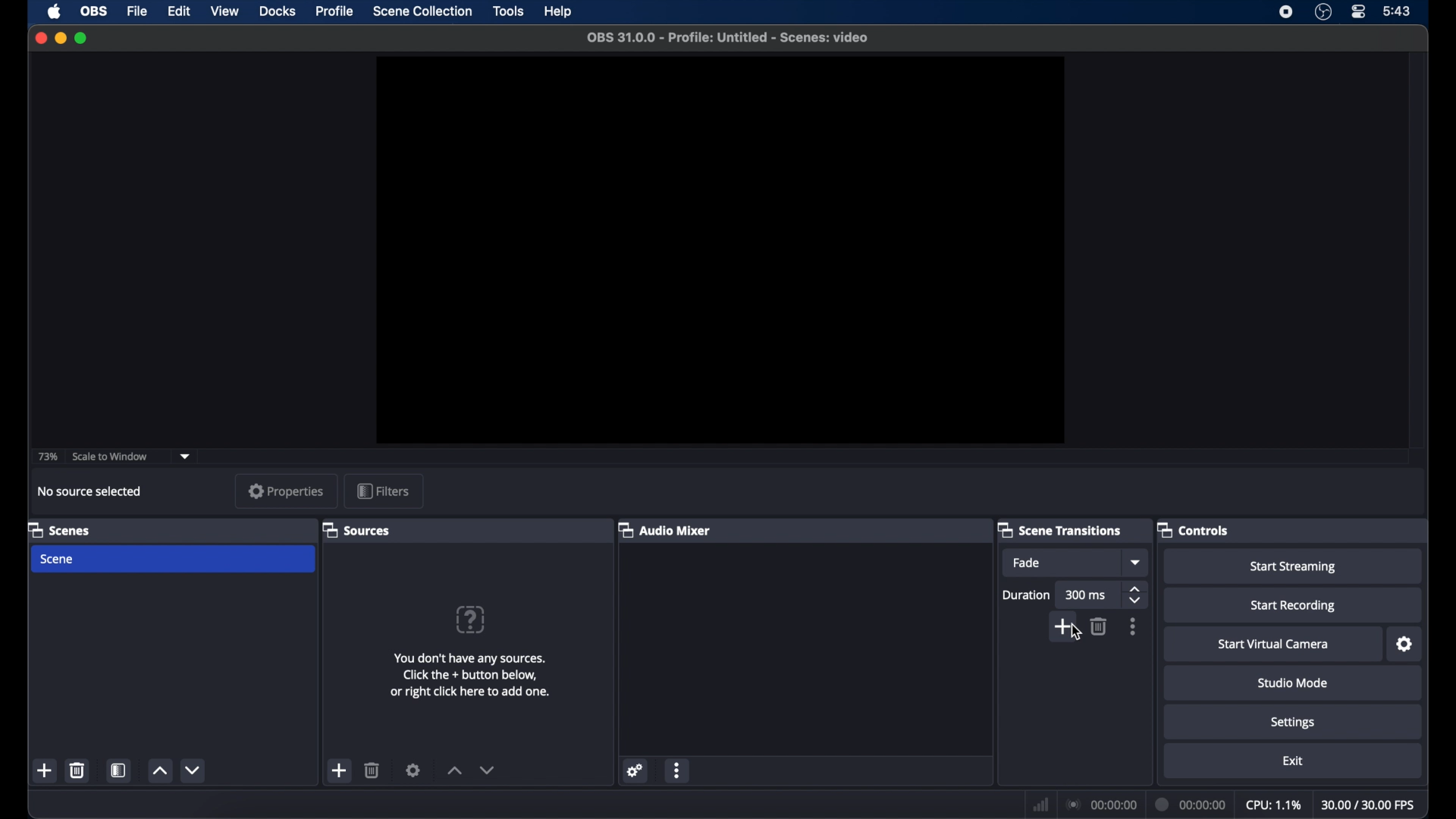  I want to click on properties, so click(285, 491).